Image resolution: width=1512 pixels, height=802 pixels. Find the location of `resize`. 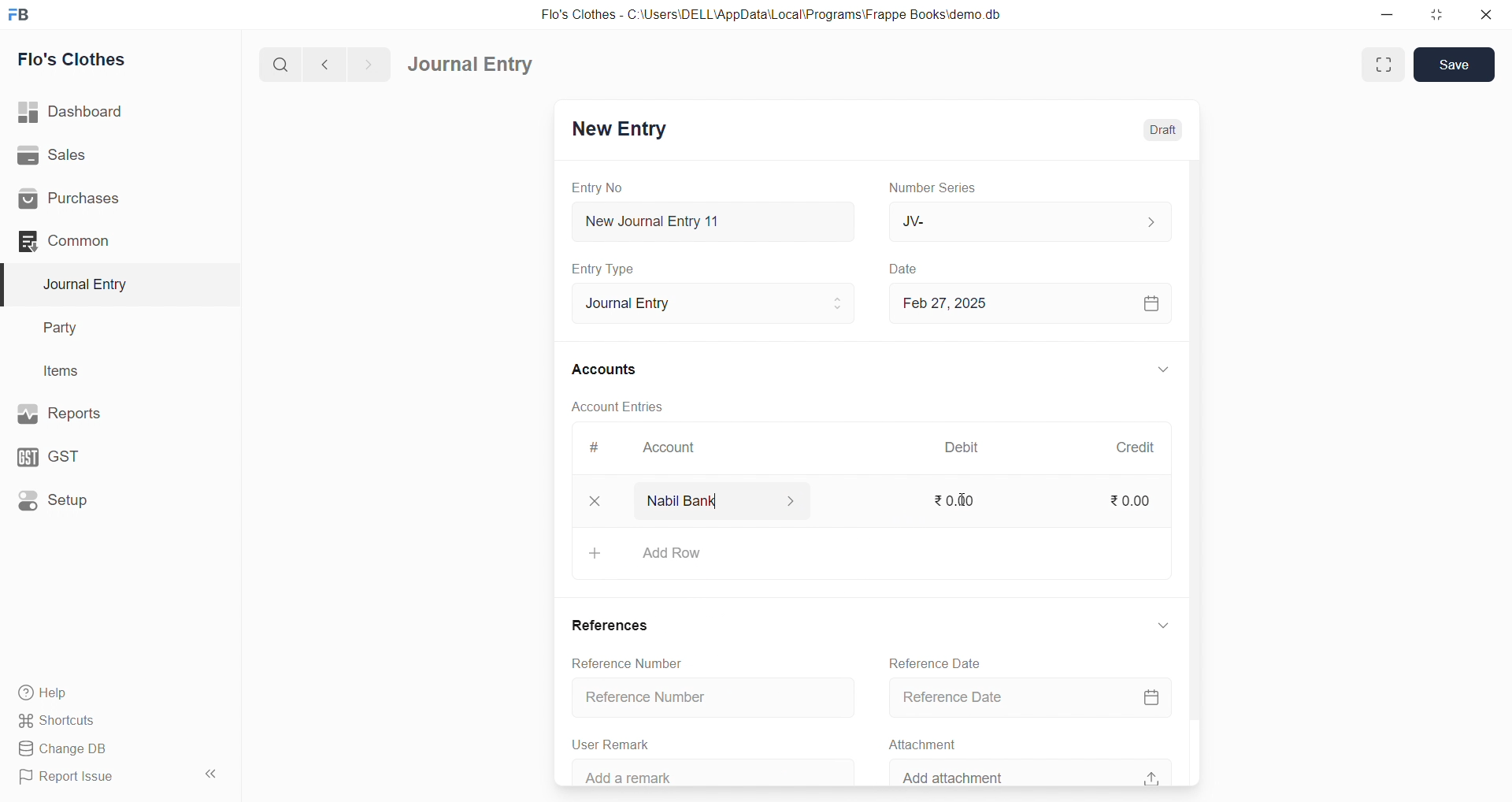

resize is located at coordinates (1436, 13).